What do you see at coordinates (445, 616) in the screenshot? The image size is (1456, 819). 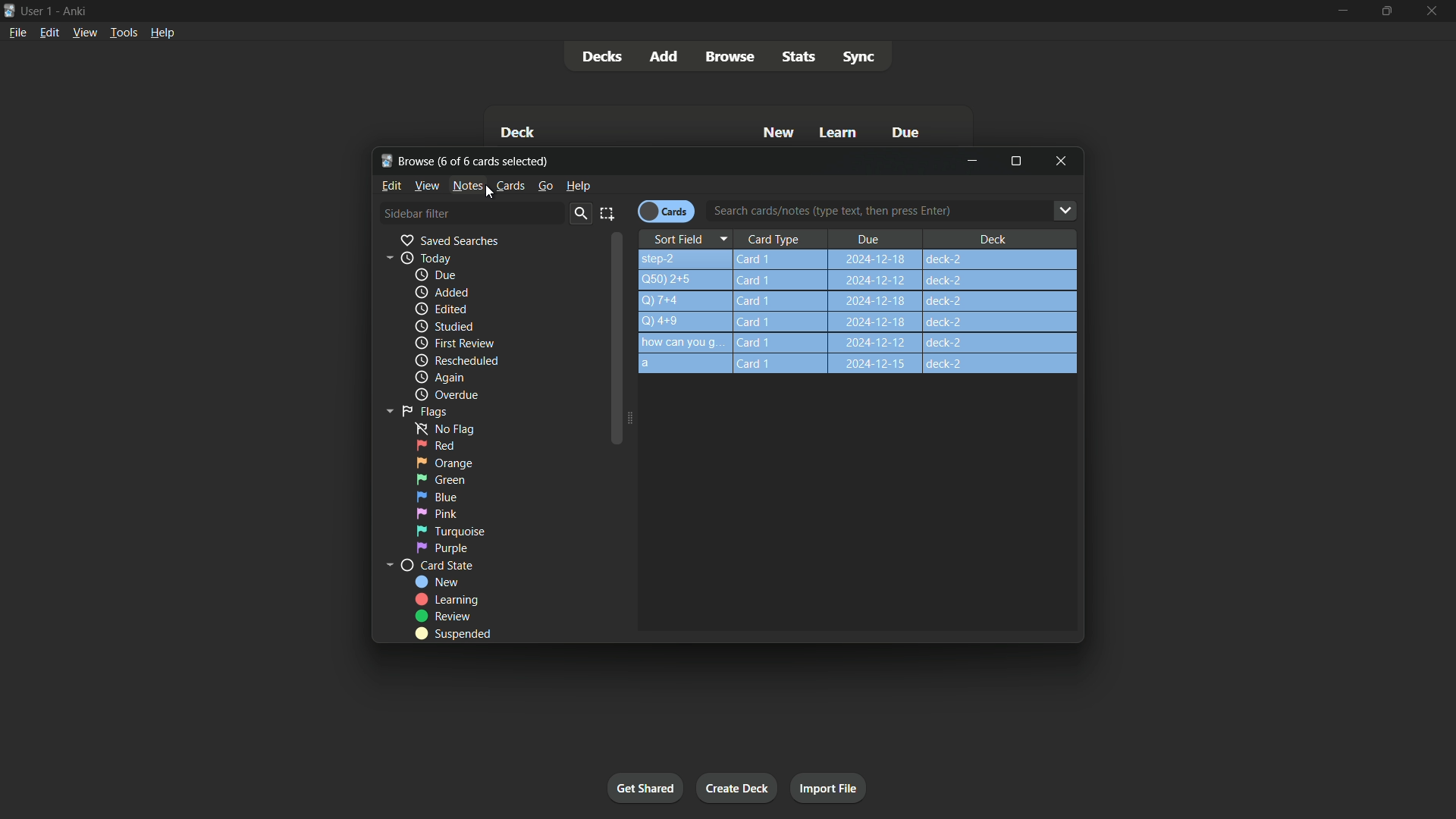 I see `Review` at bounding box center [445, 616].